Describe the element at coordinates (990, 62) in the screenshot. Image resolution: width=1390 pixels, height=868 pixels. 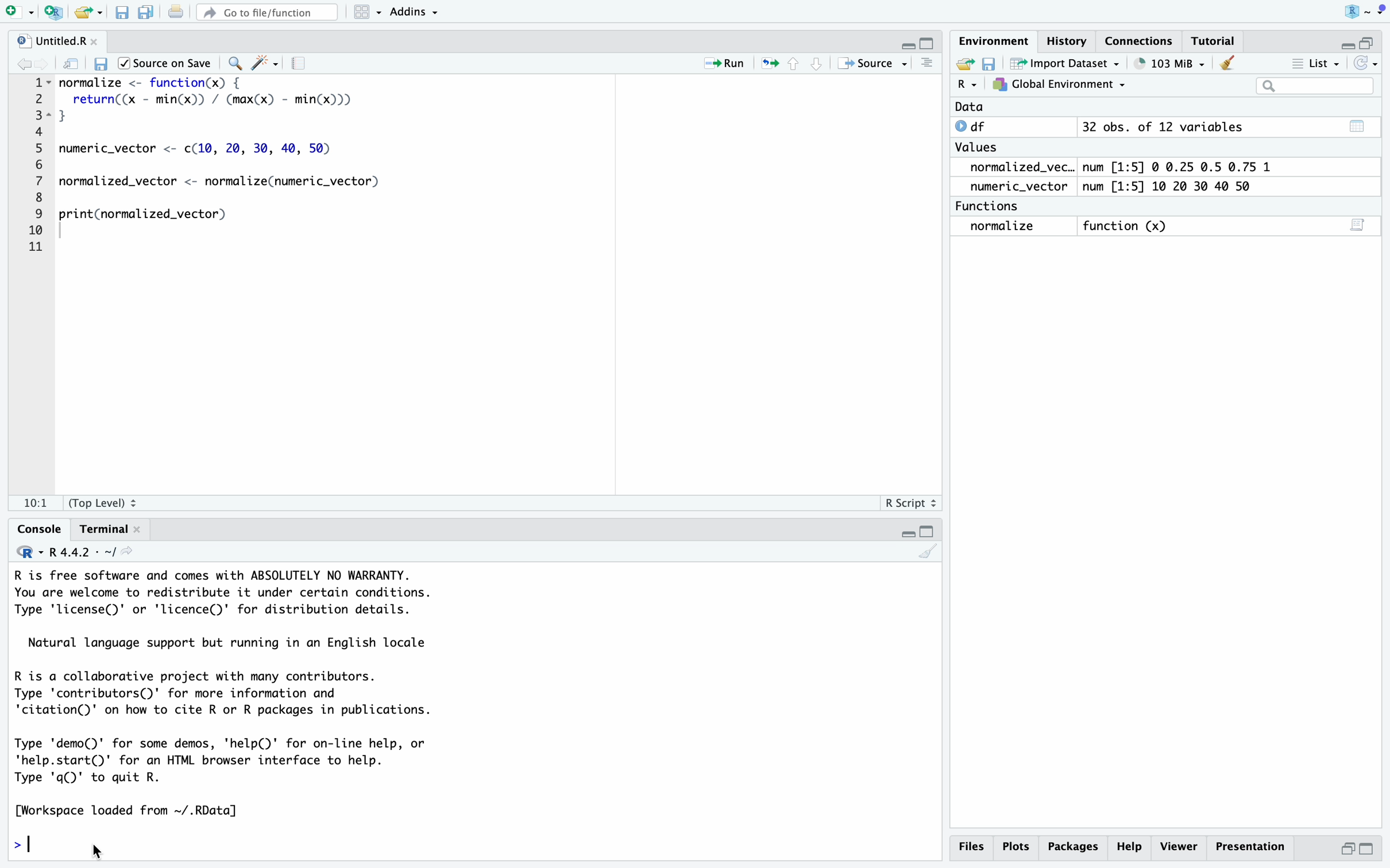
I see `Save workspace as` at that location.